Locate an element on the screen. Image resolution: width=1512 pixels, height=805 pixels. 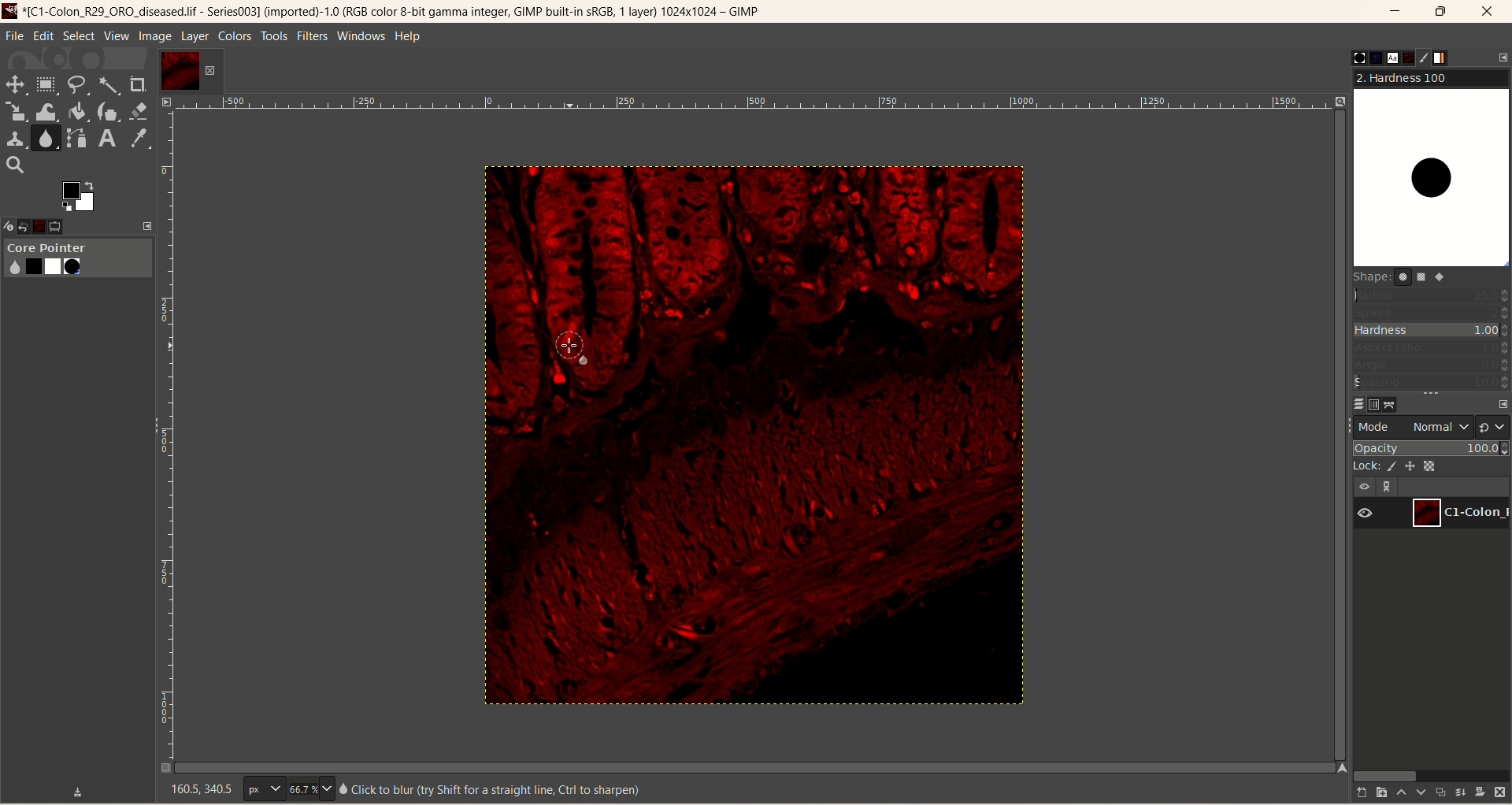
duplicate the layer is located at coordinates (1439, 794).